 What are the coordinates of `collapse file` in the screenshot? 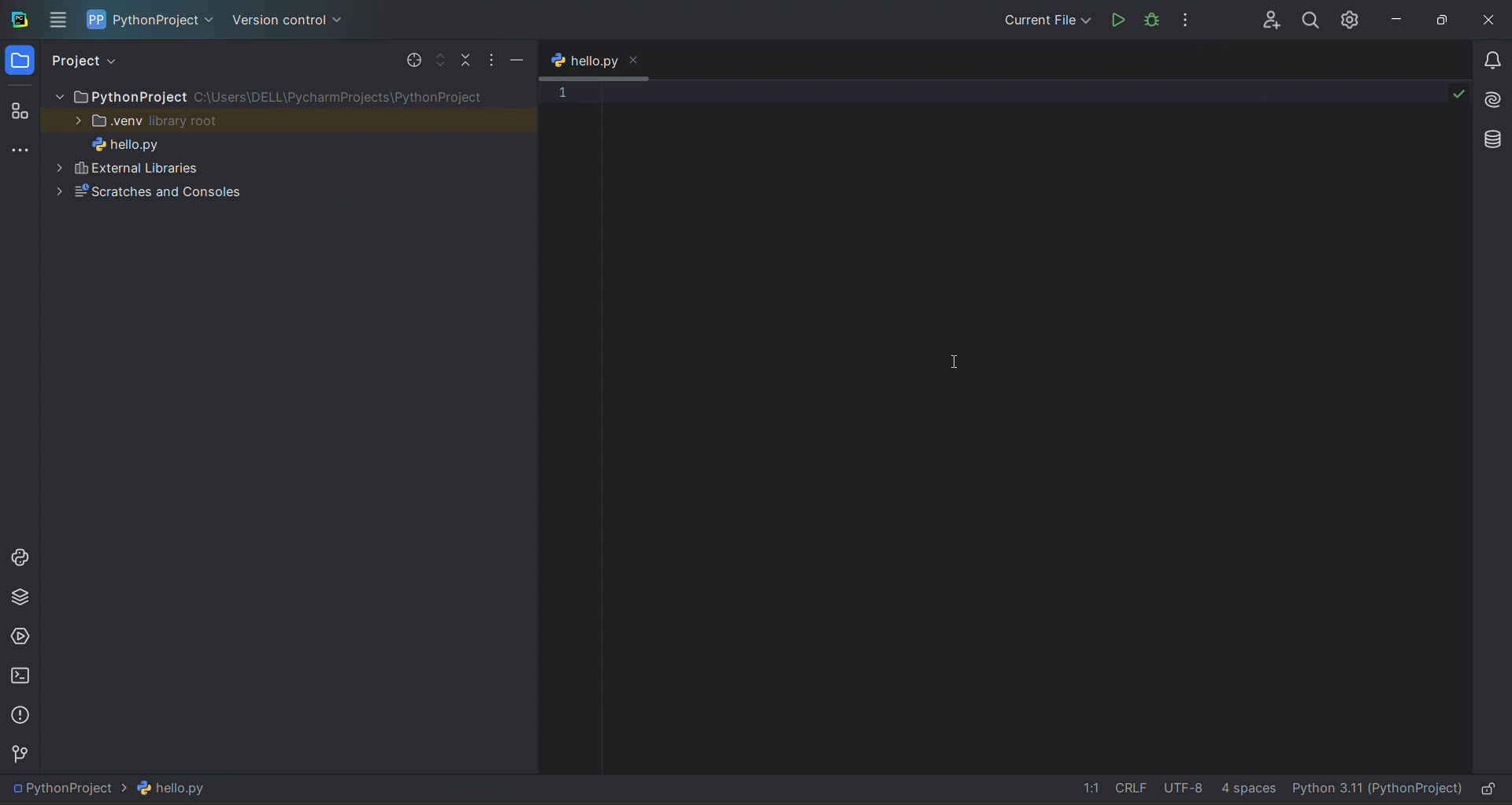 It's located at (465, 57).